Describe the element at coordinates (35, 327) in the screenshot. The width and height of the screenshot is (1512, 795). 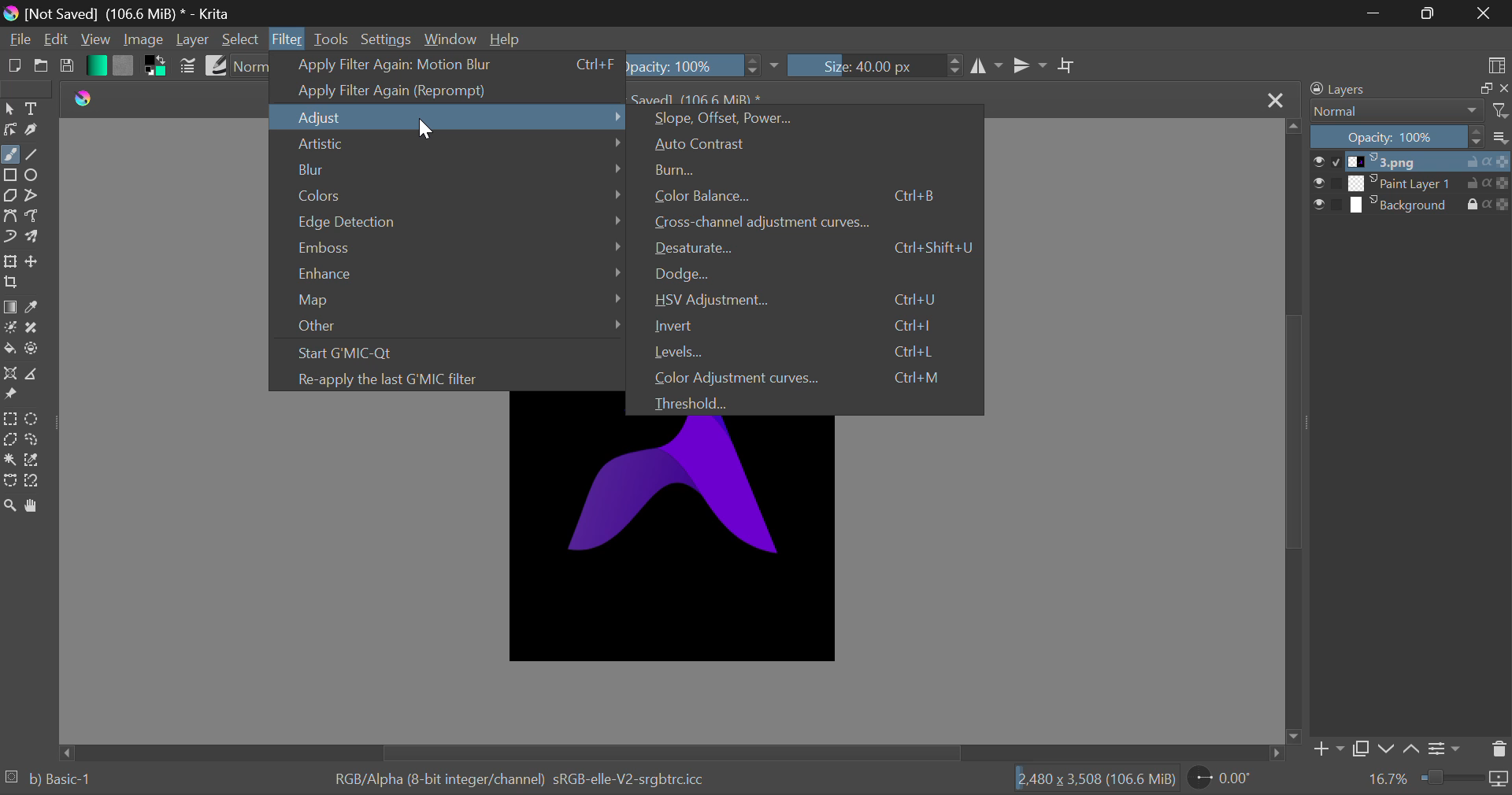
I see `Smart Patch Tool` at that location.